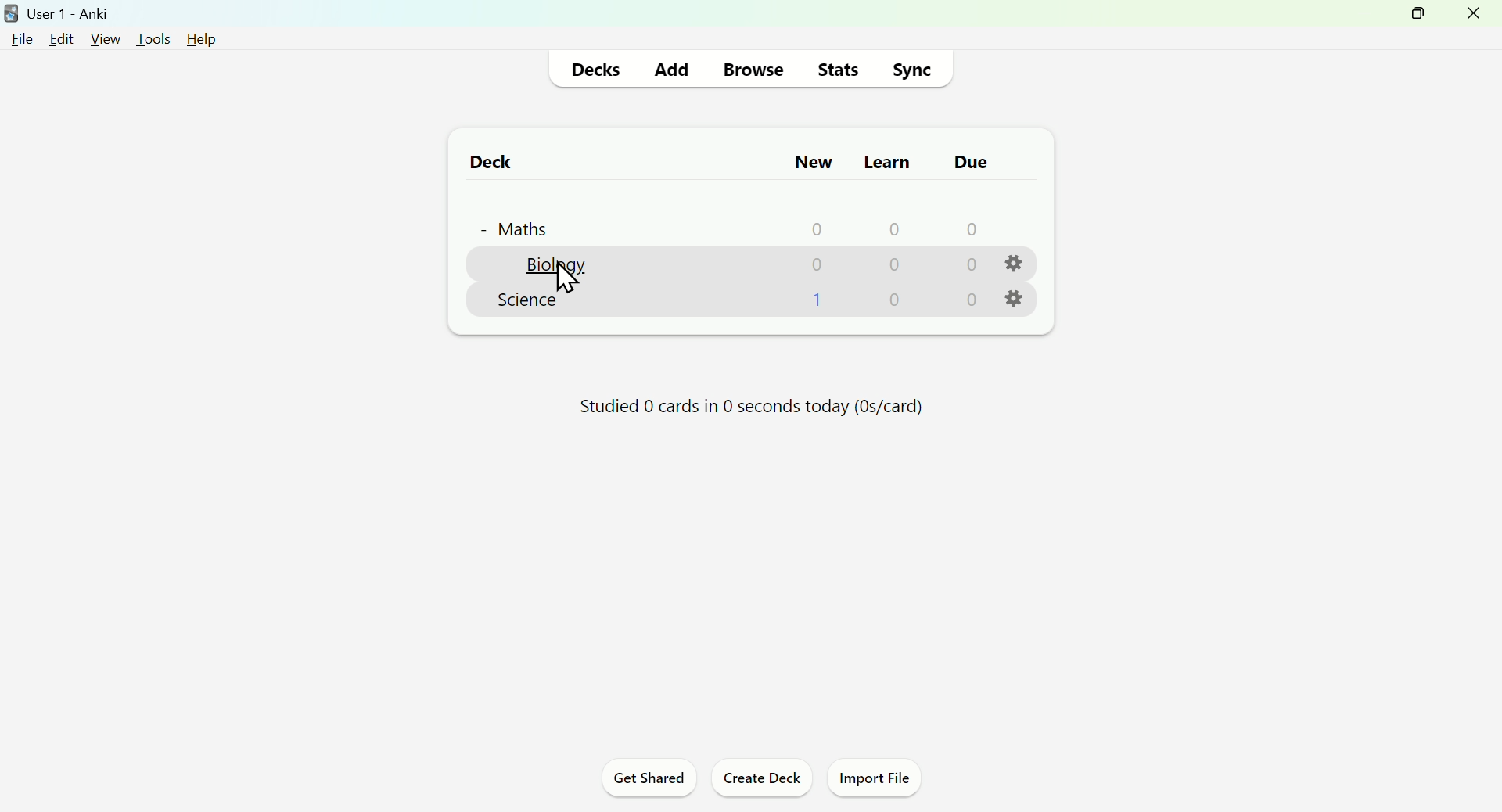 Image resolution: width=1502 pixels, height=812 pixels. What do you see at coordinates (888, 231) in the screenshot?
I see `0` at bounding box center [888, 231].